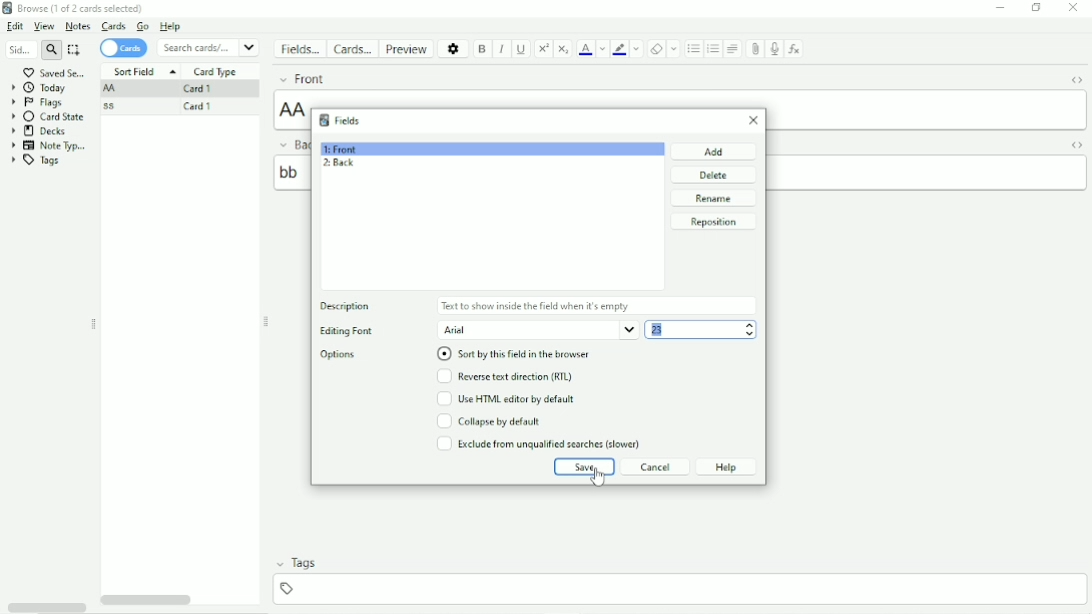  I want to click on Reverse text direction, so click(509, 377).